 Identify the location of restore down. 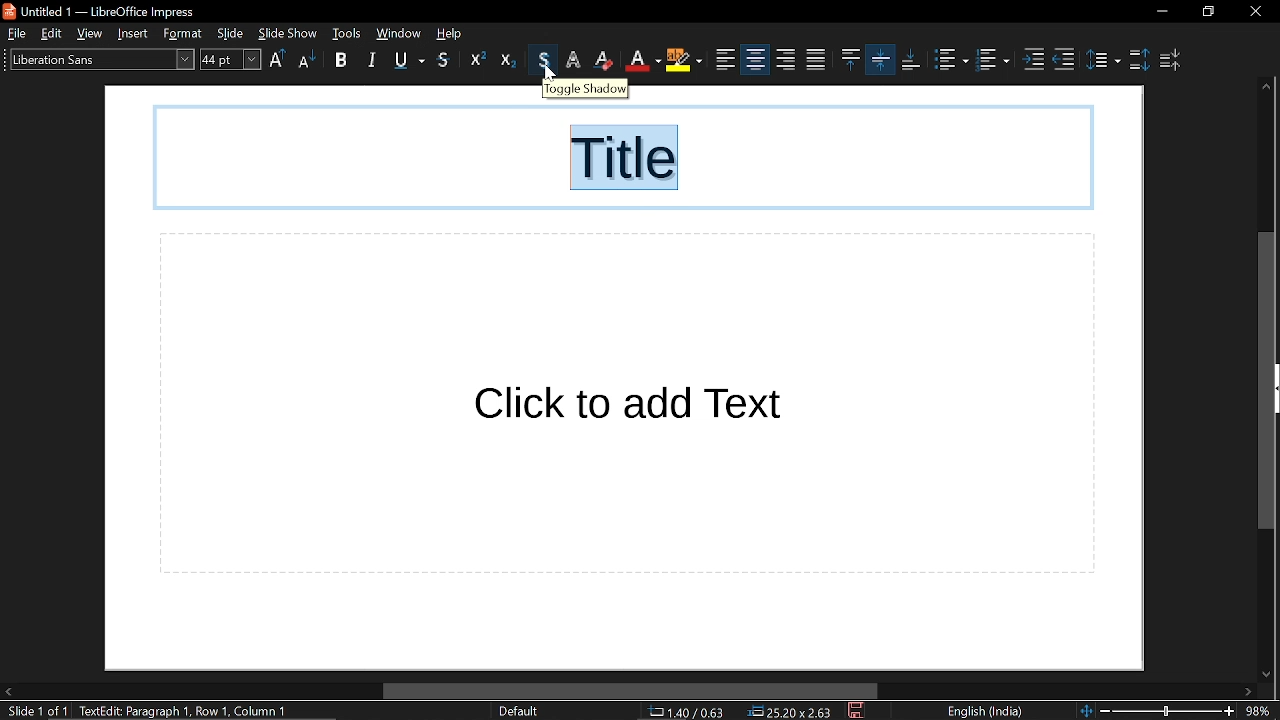
(1209, 12).